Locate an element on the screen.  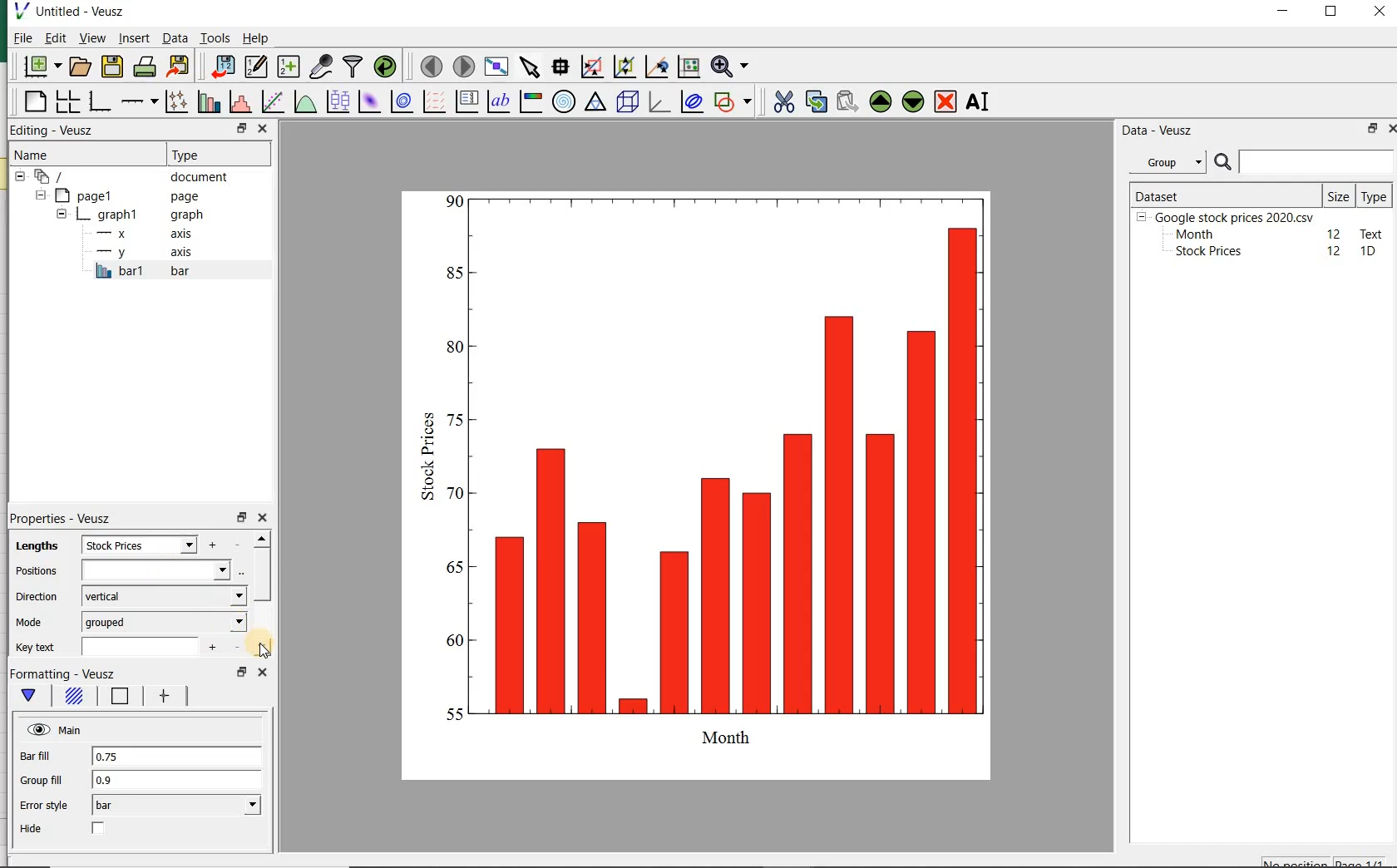
main formatting is located at coordinates (30, 695).